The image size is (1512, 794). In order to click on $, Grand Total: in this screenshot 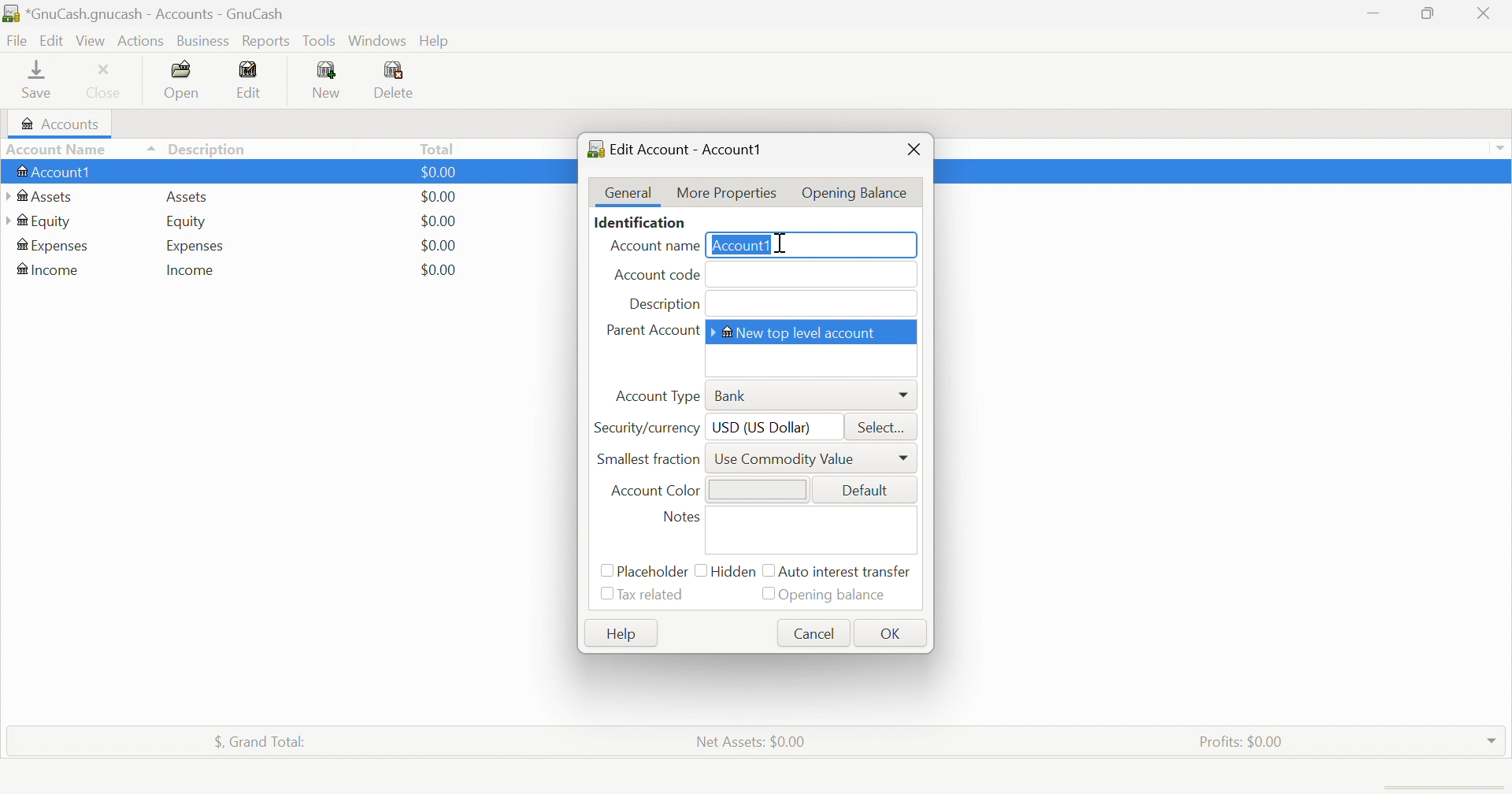, I will do `click(259, 742)`.